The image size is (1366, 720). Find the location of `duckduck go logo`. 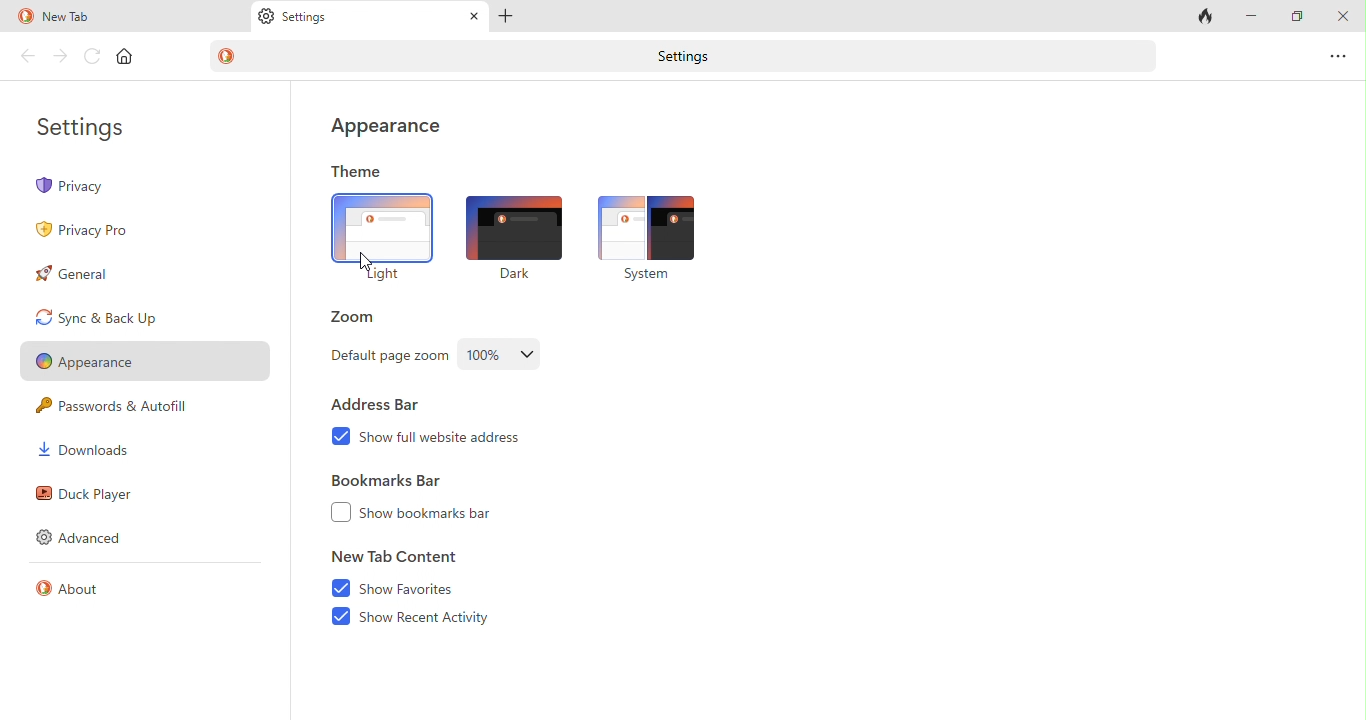

duckduck go logo is located at coordinates (228, 57).